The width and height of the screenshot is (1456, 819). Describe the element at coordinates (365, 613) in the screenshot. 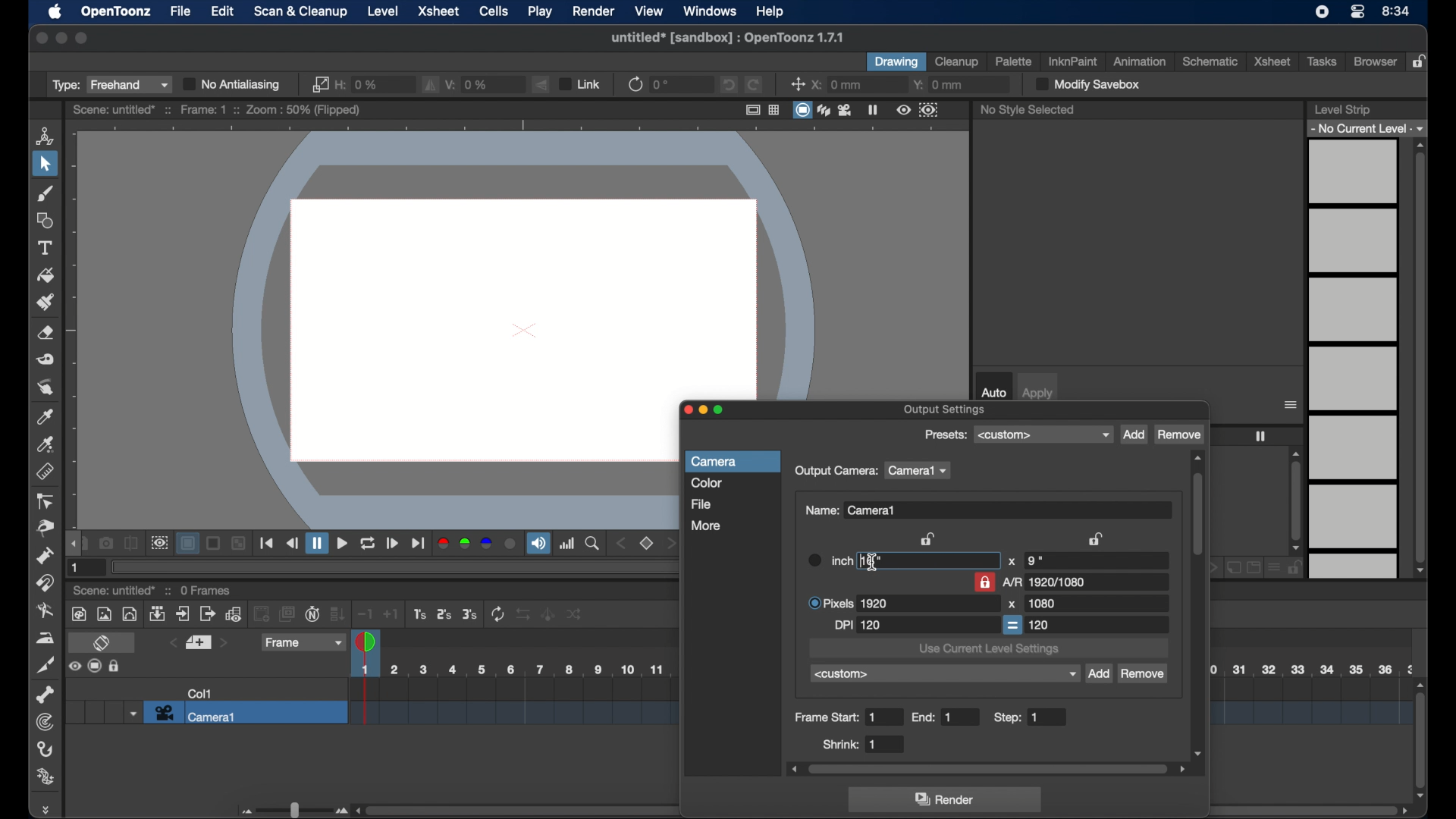

I see `` at that location.